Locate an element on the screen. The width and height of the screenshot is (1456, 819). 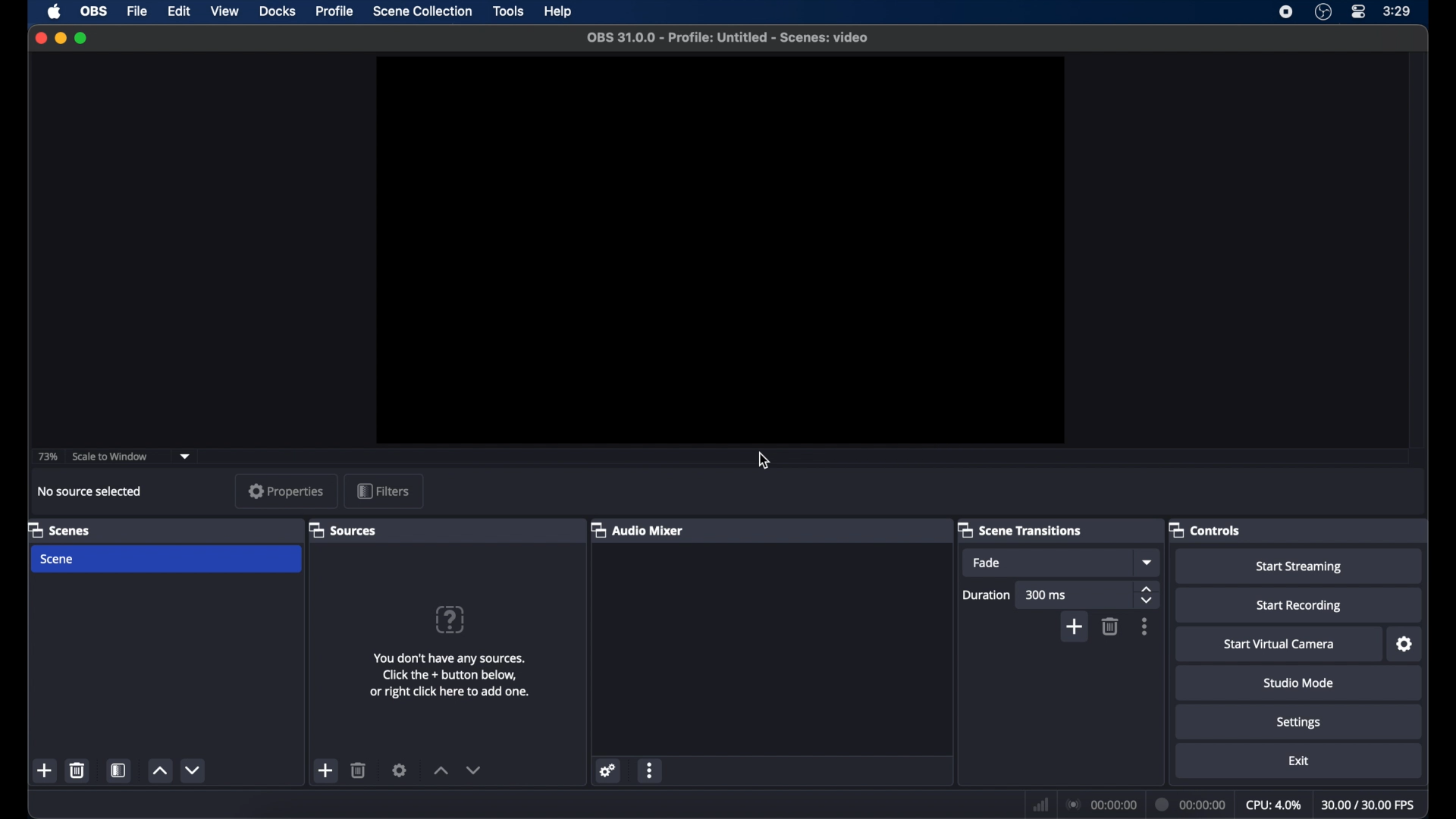
open scene filter is located at coordinates (117, 770).